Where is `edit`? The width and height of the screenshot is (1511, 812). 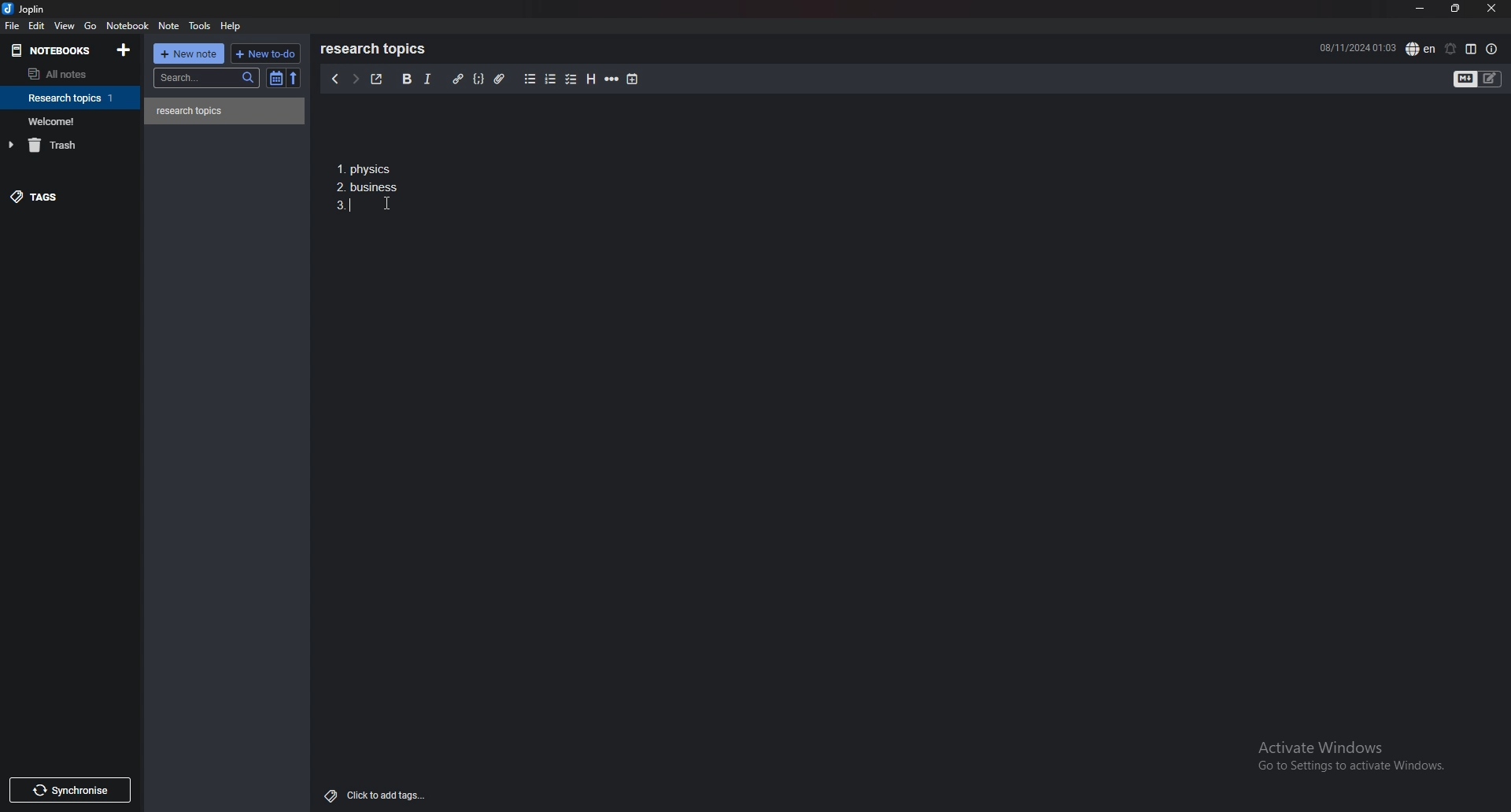
edit is located at coordinates (36, 25).